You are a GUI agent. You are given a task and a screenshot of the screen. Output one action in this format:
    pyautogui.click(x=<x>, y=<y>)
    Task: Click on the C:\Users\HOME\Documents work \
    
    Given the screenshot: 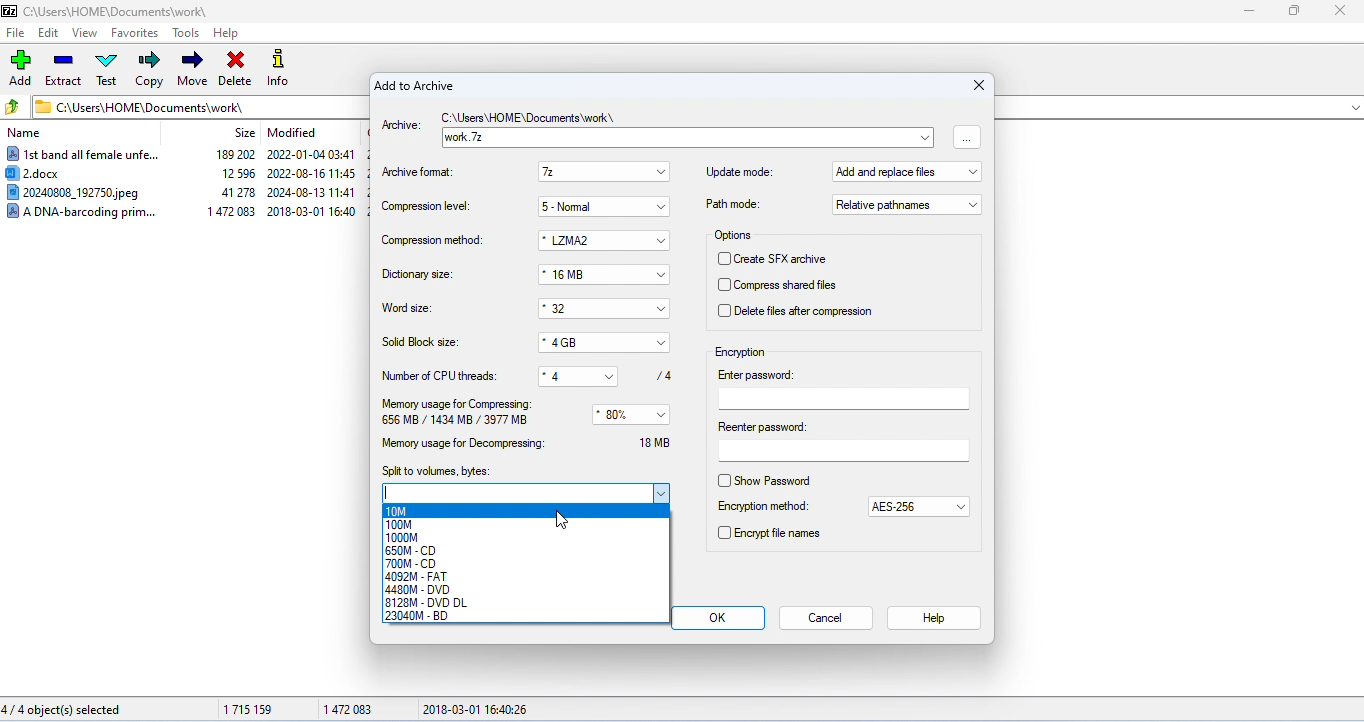 What is the action you would take?
    pyautogui.click(x=531, y=119)
    